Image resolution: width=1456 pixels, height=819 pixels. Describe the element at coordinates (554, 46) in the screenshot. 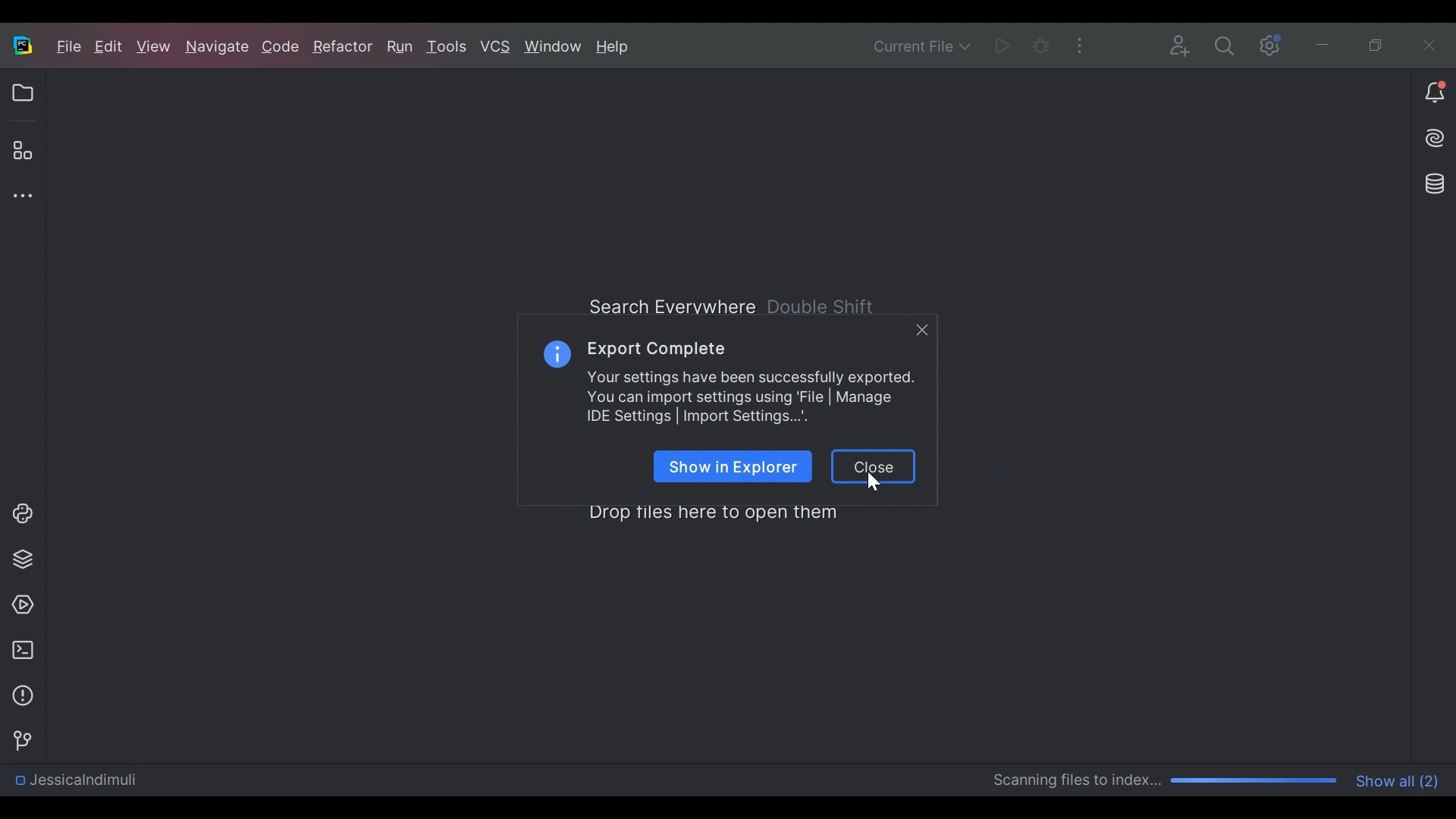

I see `Window` at that location.